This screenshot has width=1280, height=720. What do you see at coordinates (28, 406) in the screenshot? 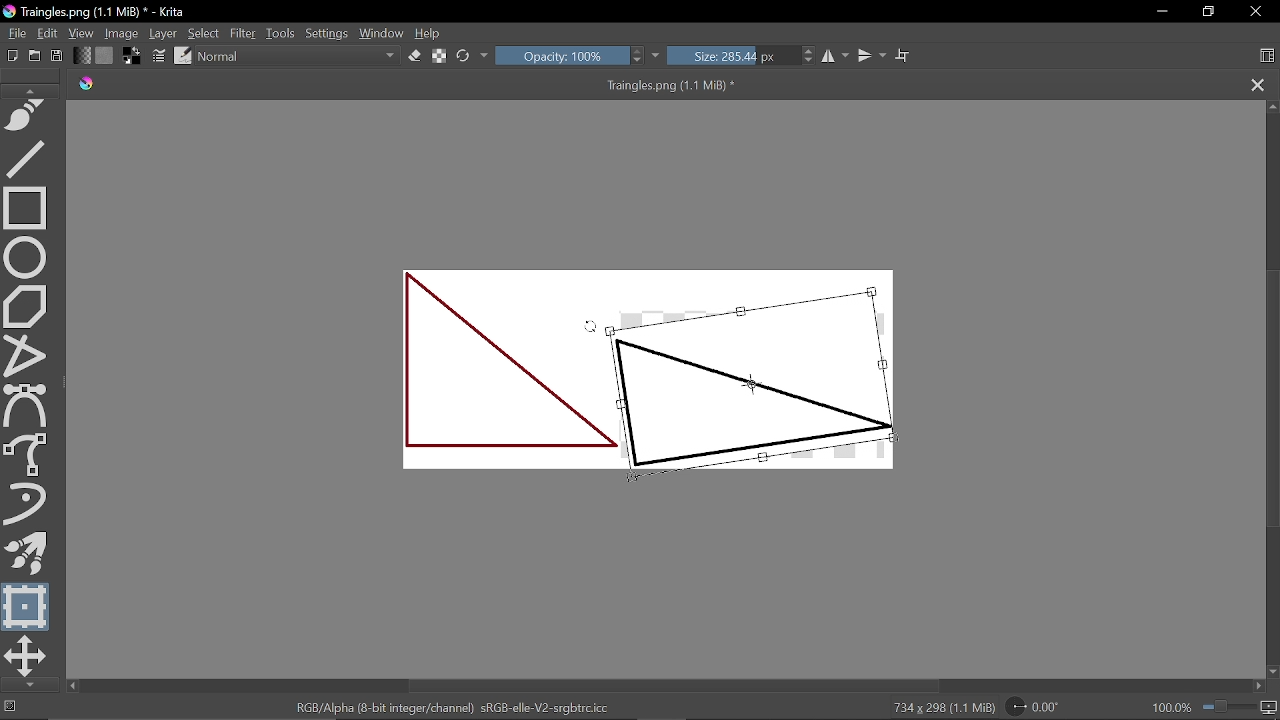
I see `Bezier curve tool` at bounding box center [28, 406].